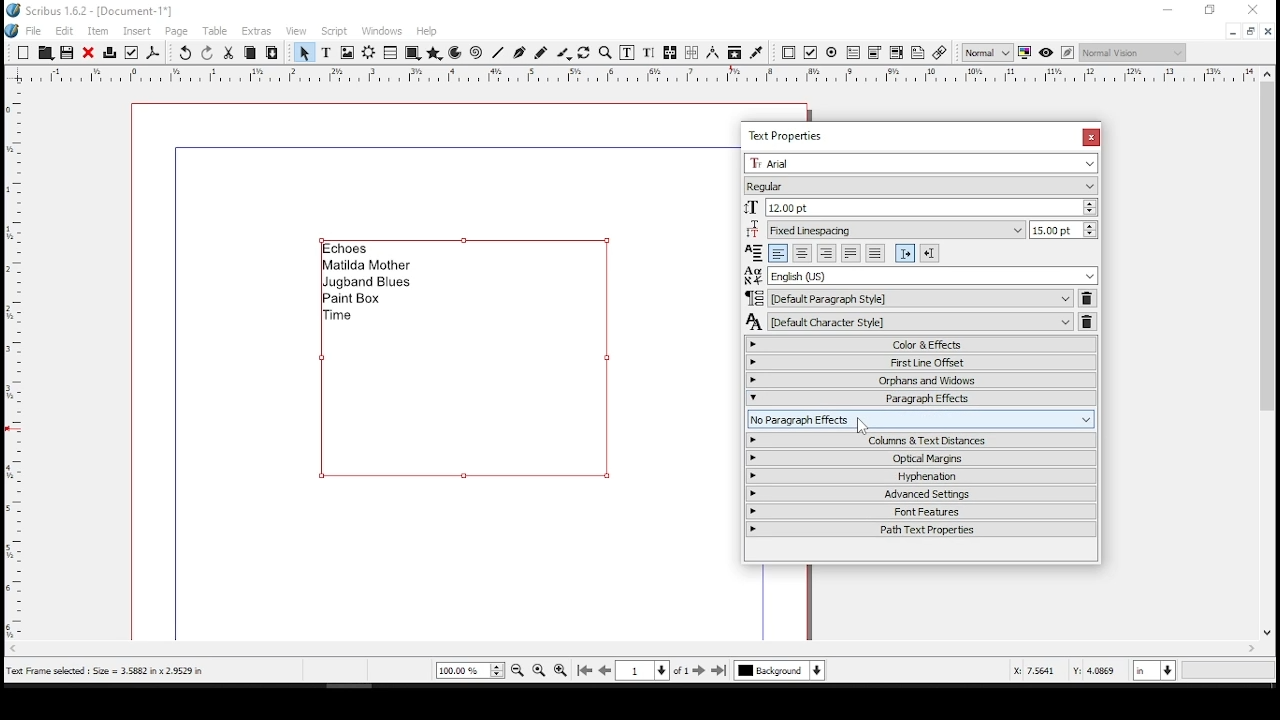  Describe the element at coordinates (88, 52) in the screenshot. I see `close` at that location.